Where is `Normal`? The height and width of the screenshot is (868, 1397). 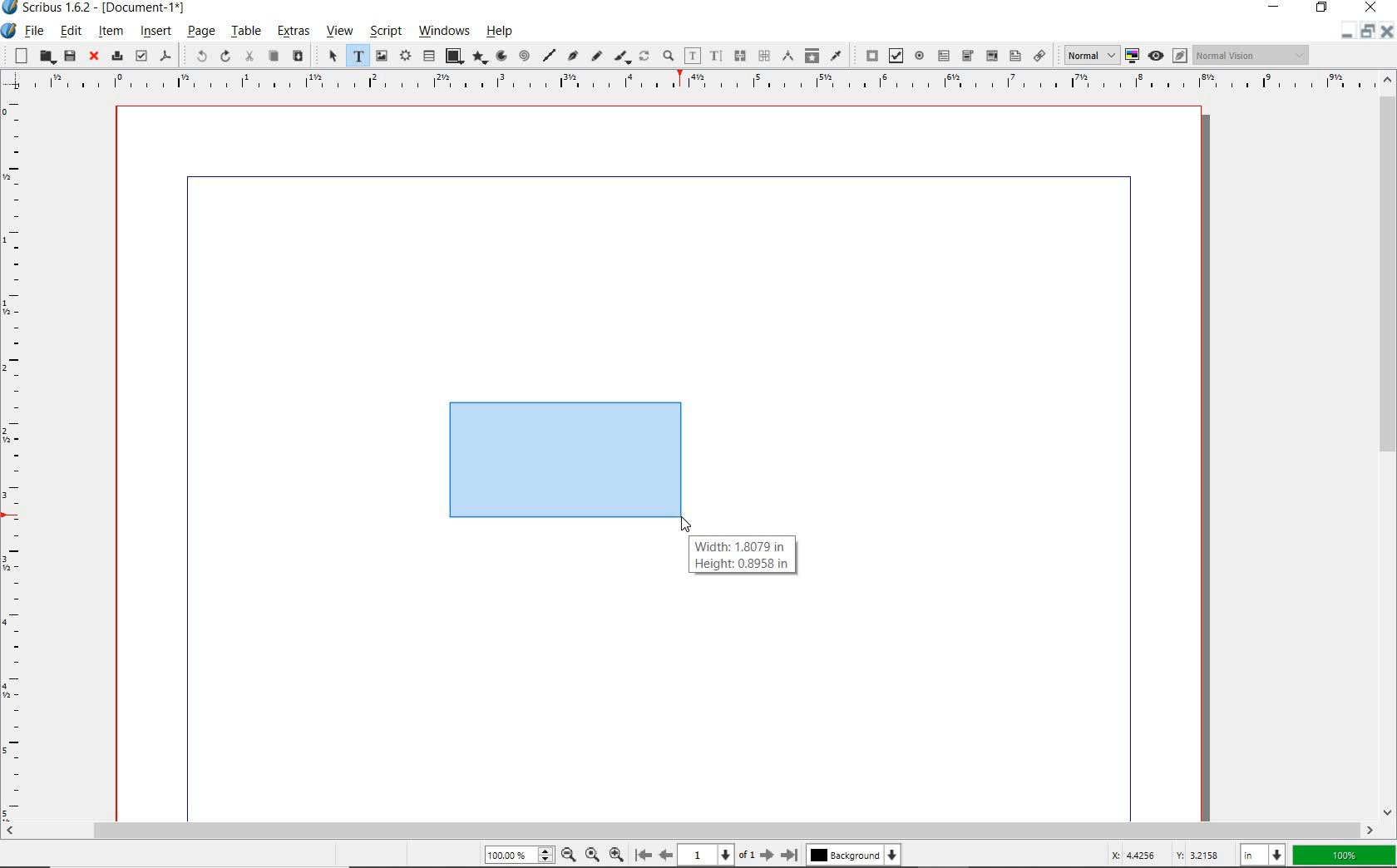
Normal is located at coordinates (1090, 55).